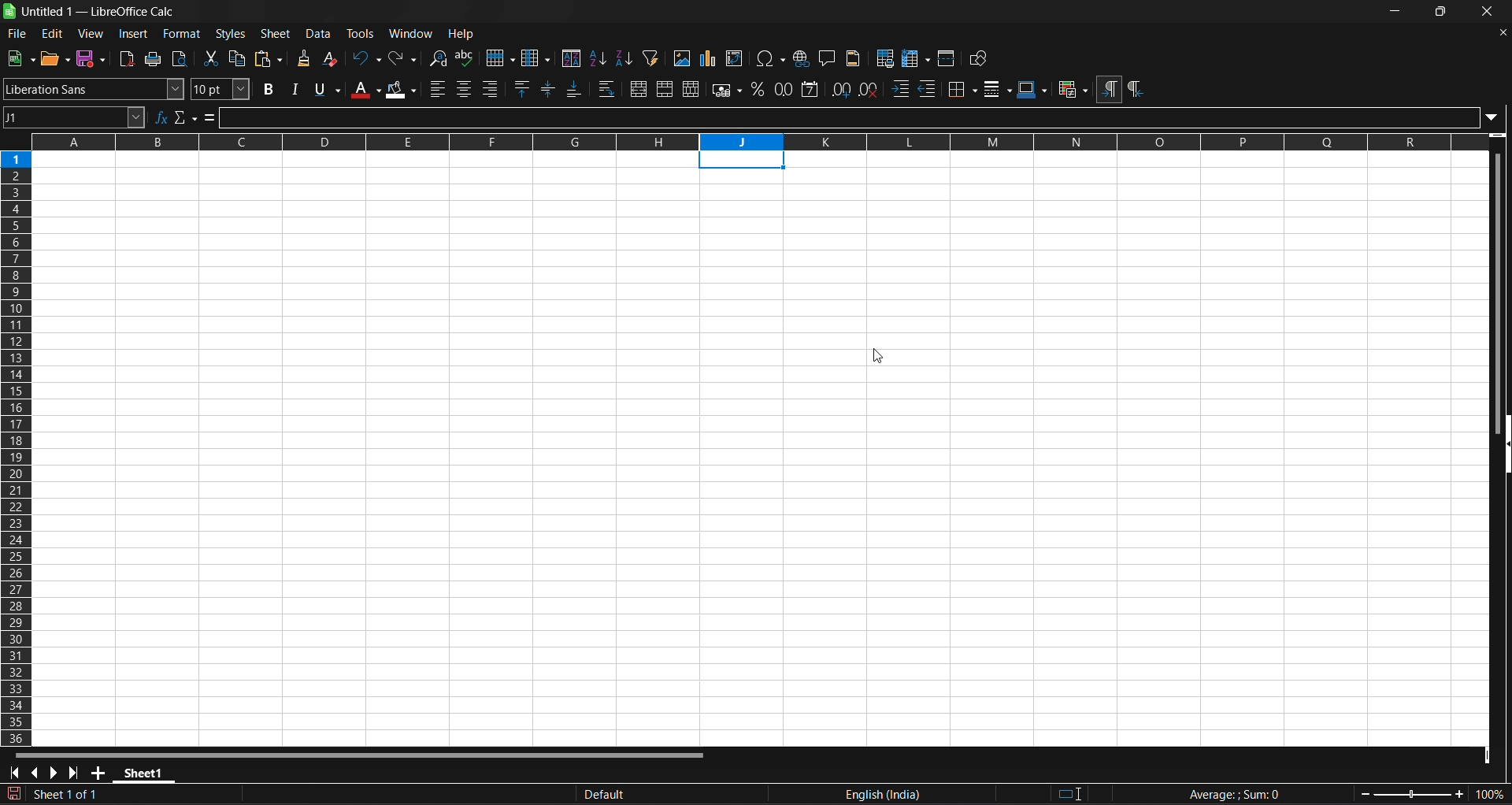 The height and width of the screenshot is (805, 1512). What do you see at coordinates (1034, 87) in the screenshot?
I see `border color` at bounding box center [1034, 87].